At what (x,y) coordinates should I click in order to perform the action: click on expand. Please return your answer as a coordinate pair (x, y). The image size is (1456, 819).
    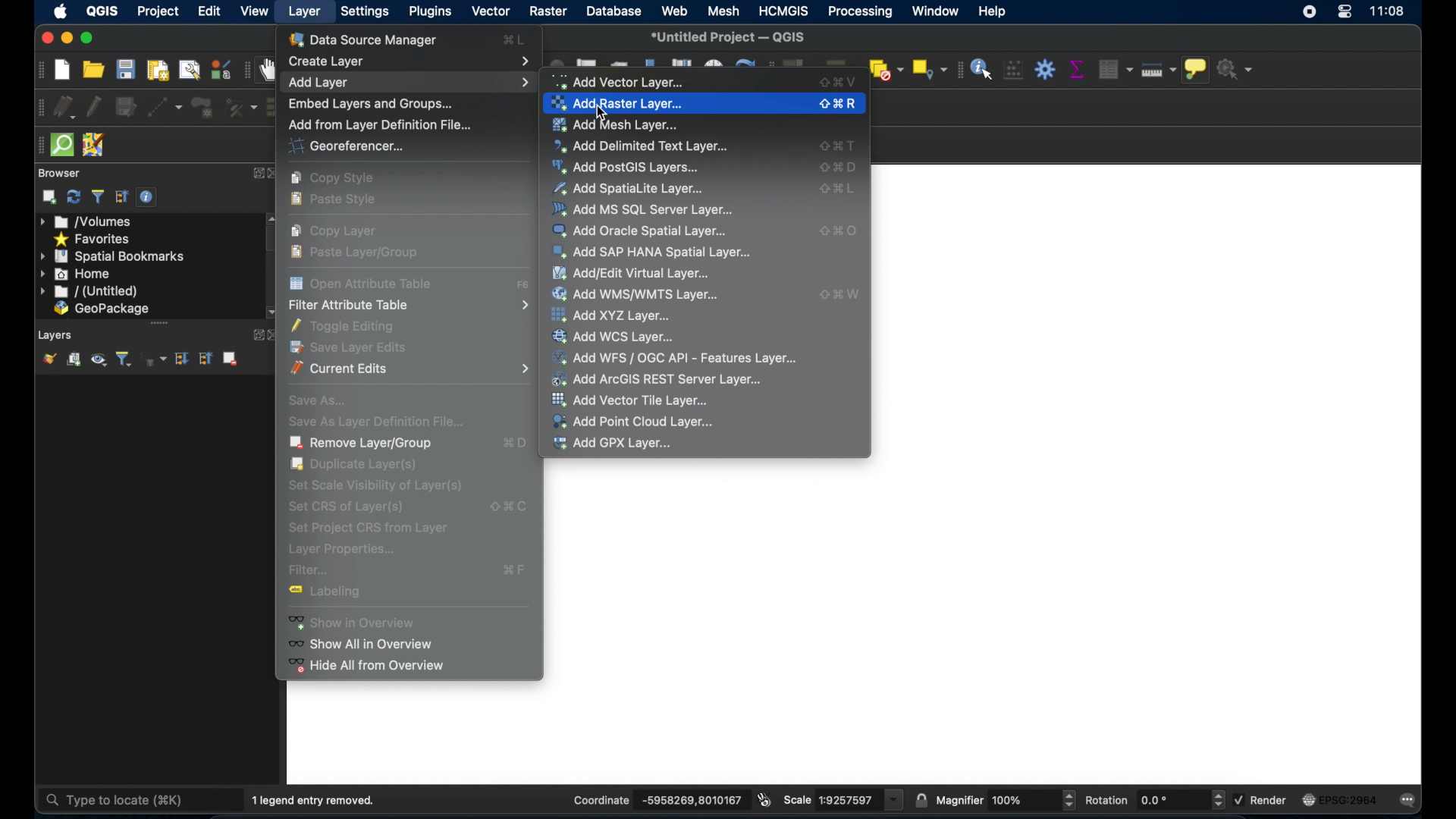
    Looking at the image, I should click on (258, 173).